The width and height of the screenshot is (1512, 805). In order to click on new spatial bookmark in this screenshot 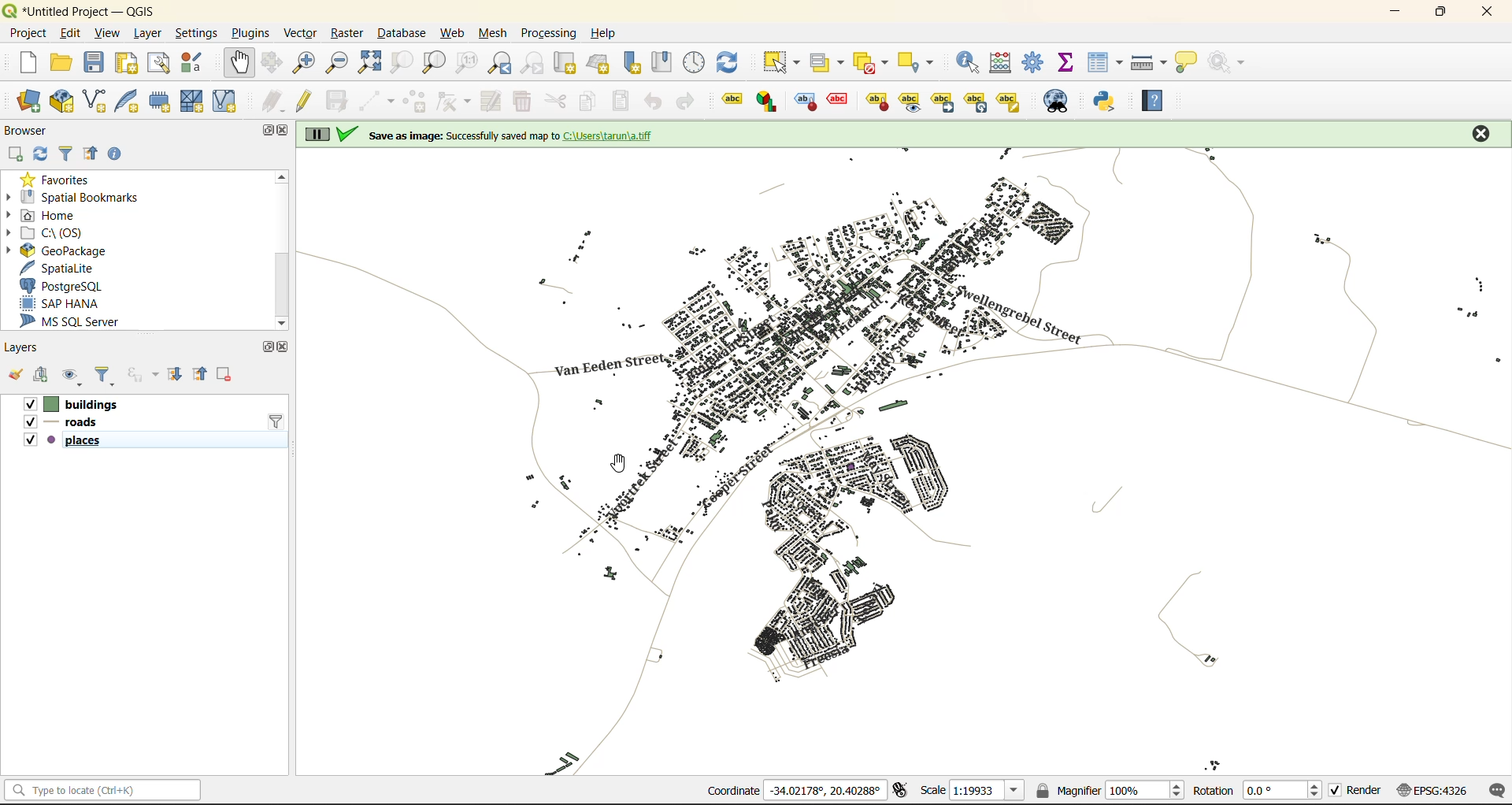, I will do `click(632, 62)`.